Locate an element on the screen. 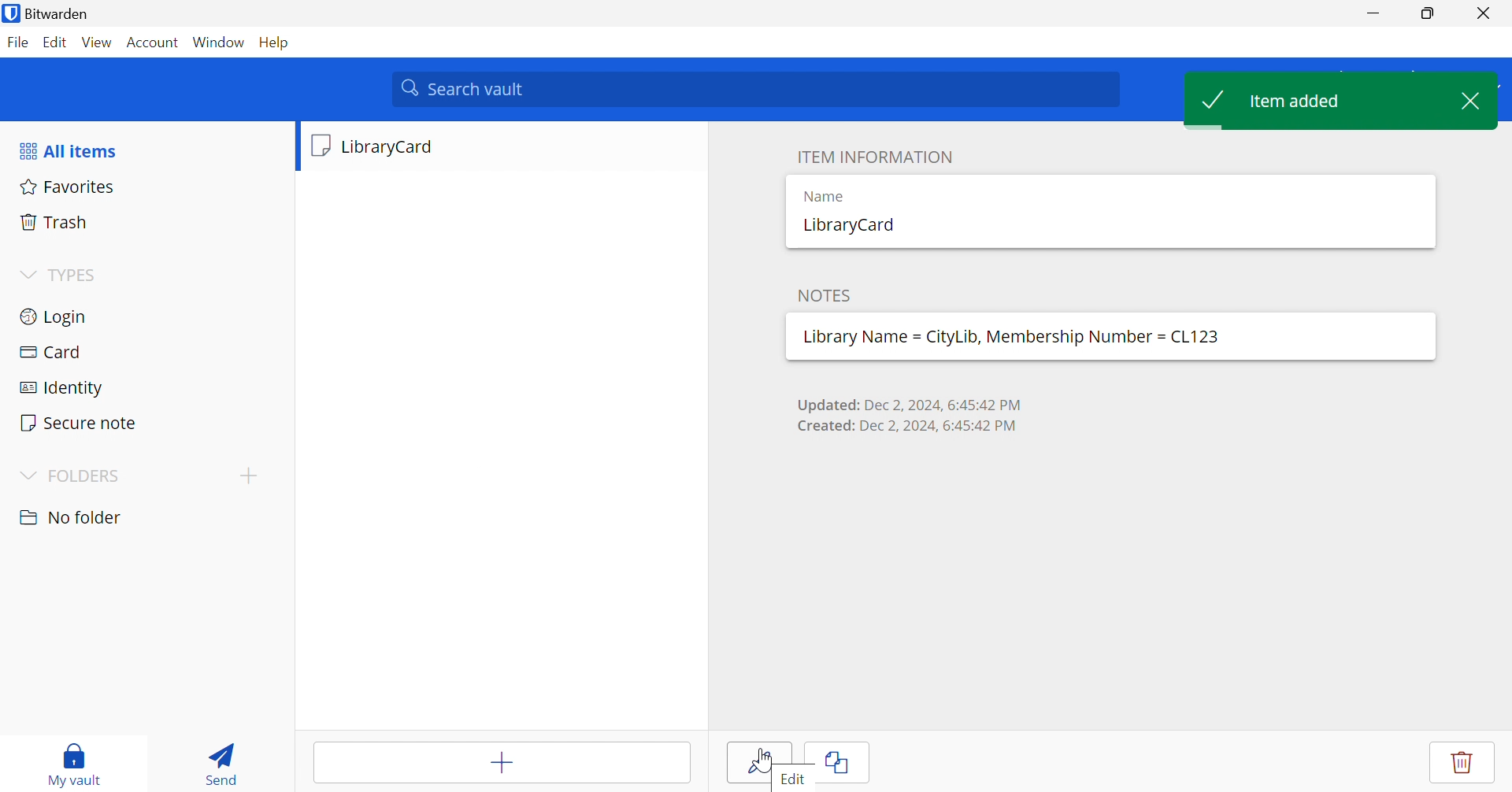 This screenshot has height=792, width=1512. close is located at coordinates (1482, 13).